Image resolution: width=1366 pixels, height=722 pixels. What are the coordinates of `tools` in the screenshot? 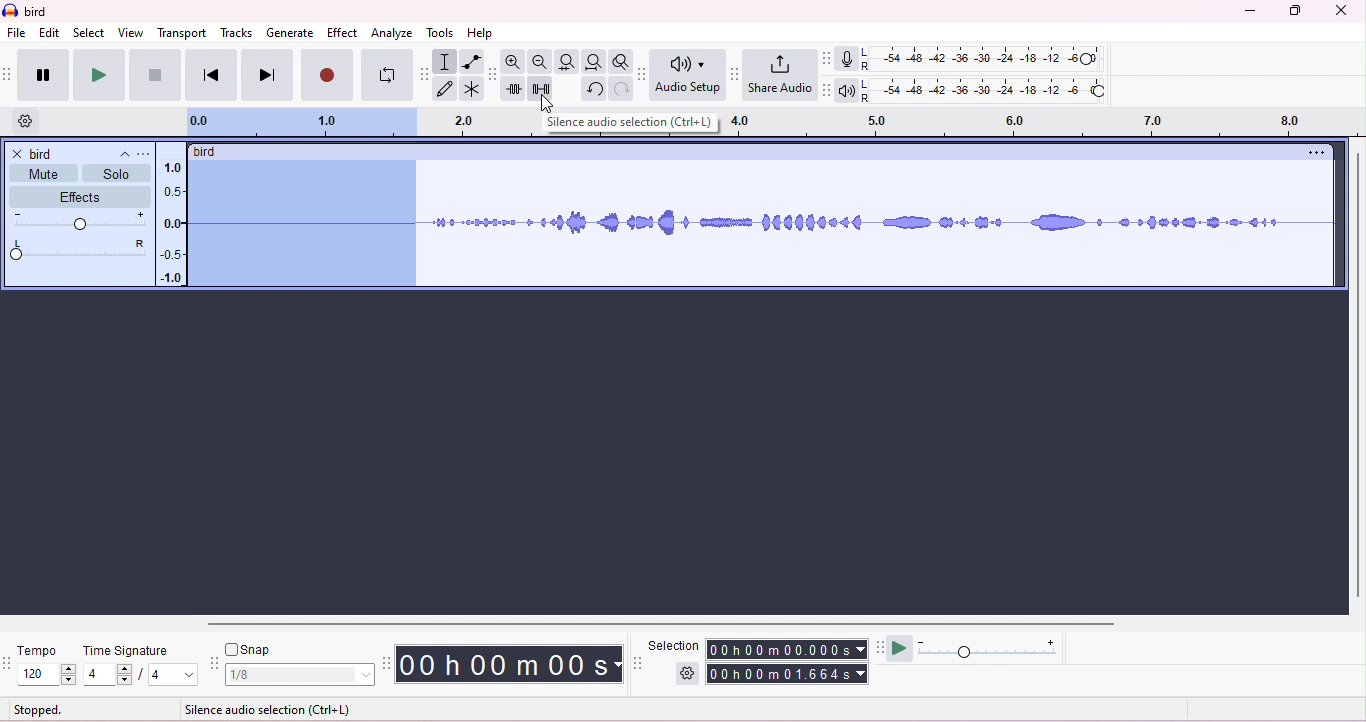 It's located at (439, 33).